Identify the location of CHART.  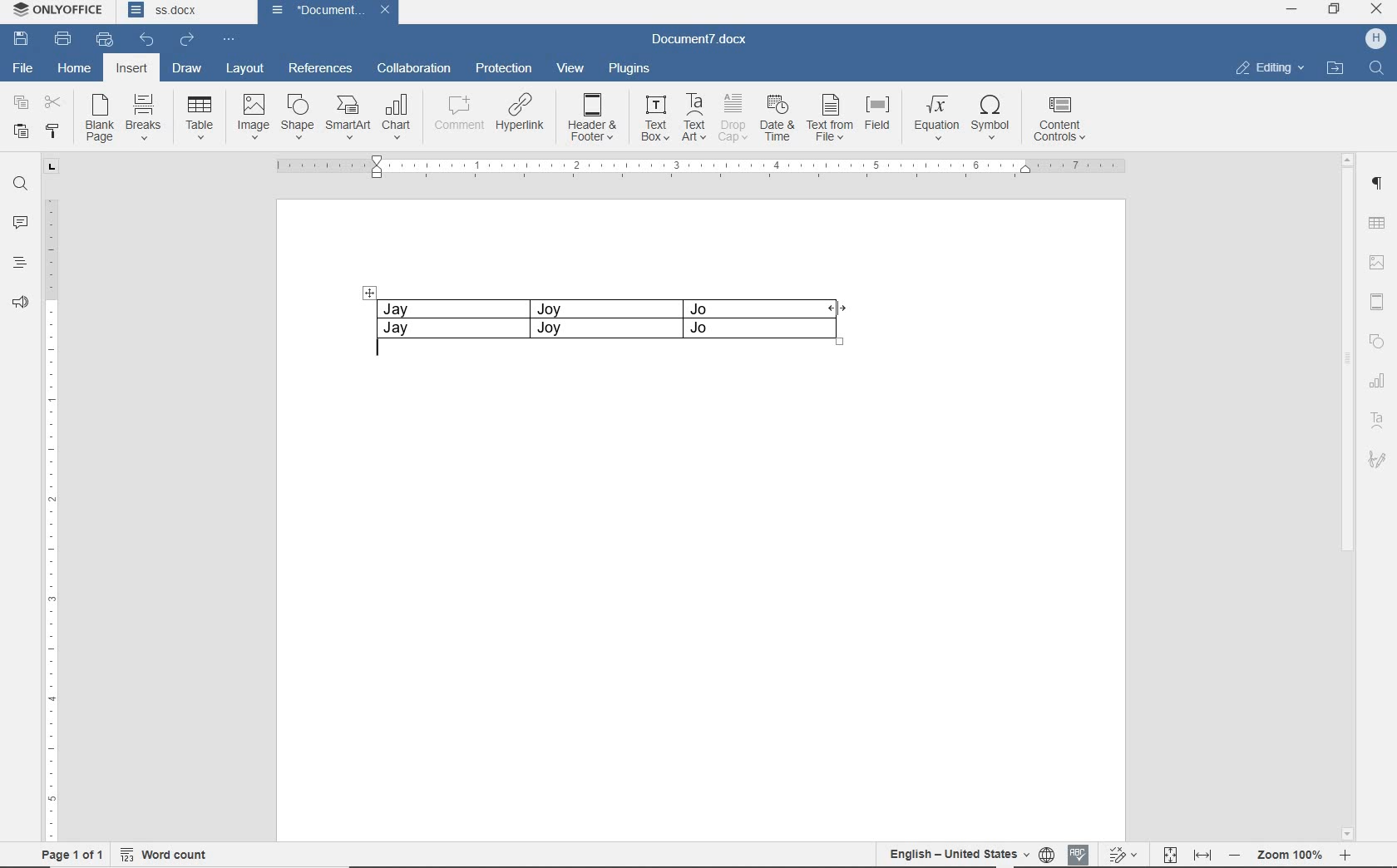
(1378, 382).